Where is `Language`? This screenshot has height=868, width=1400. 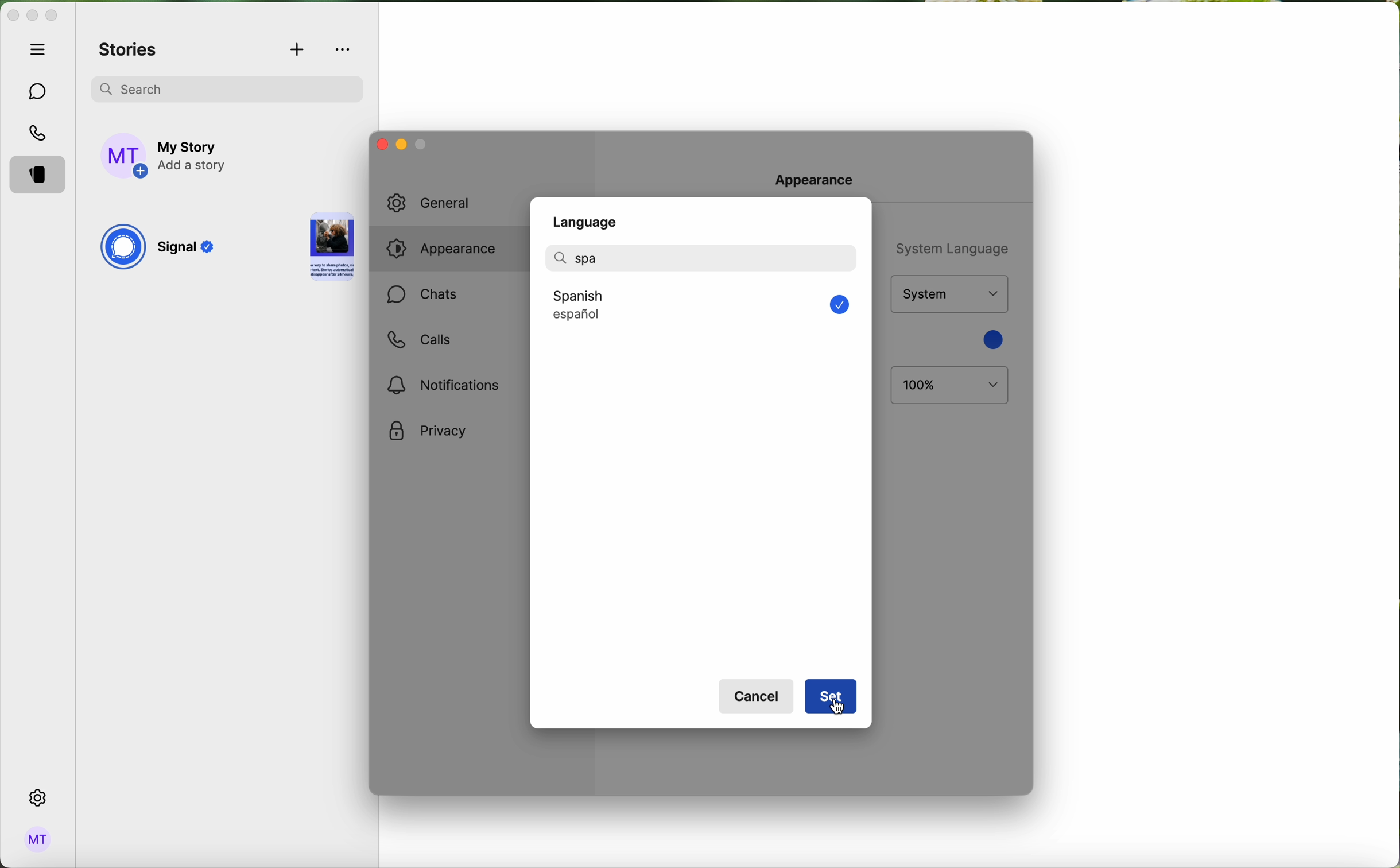
Language is located at coordinates (588, 218).